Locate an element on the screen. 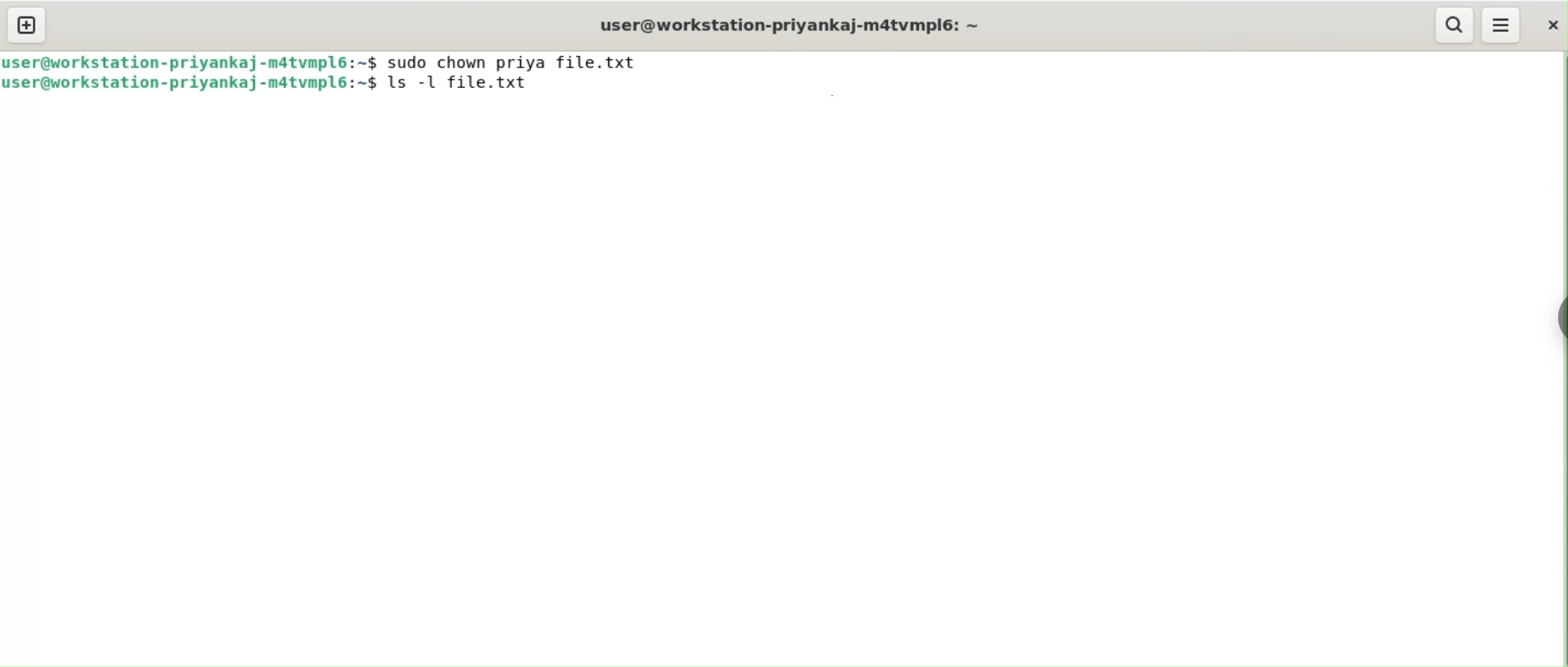  close is located at coordinates (1549, 25).